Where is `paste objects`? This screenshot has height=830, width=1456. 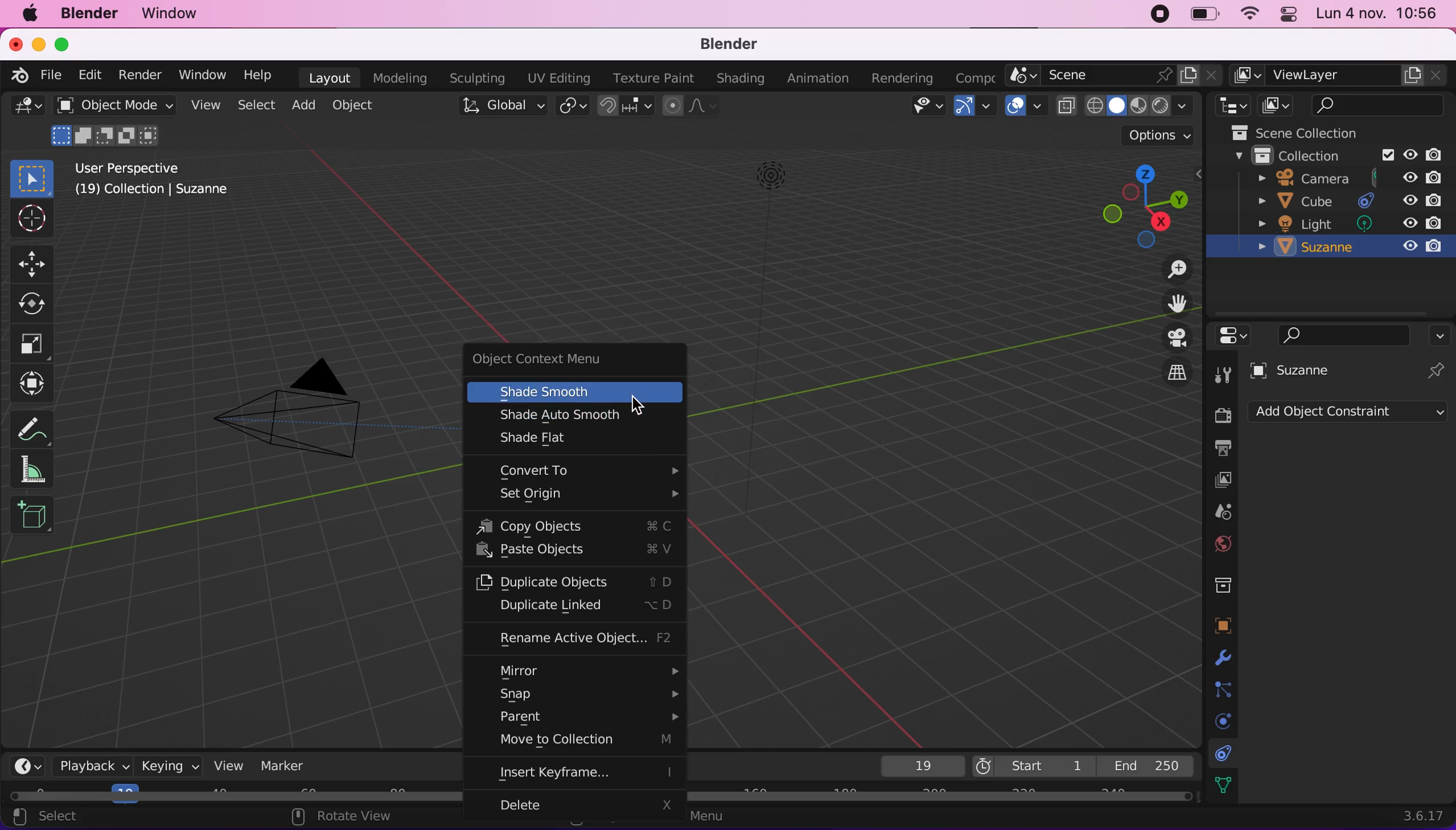 paste objects is located at coordinates (578, 551).